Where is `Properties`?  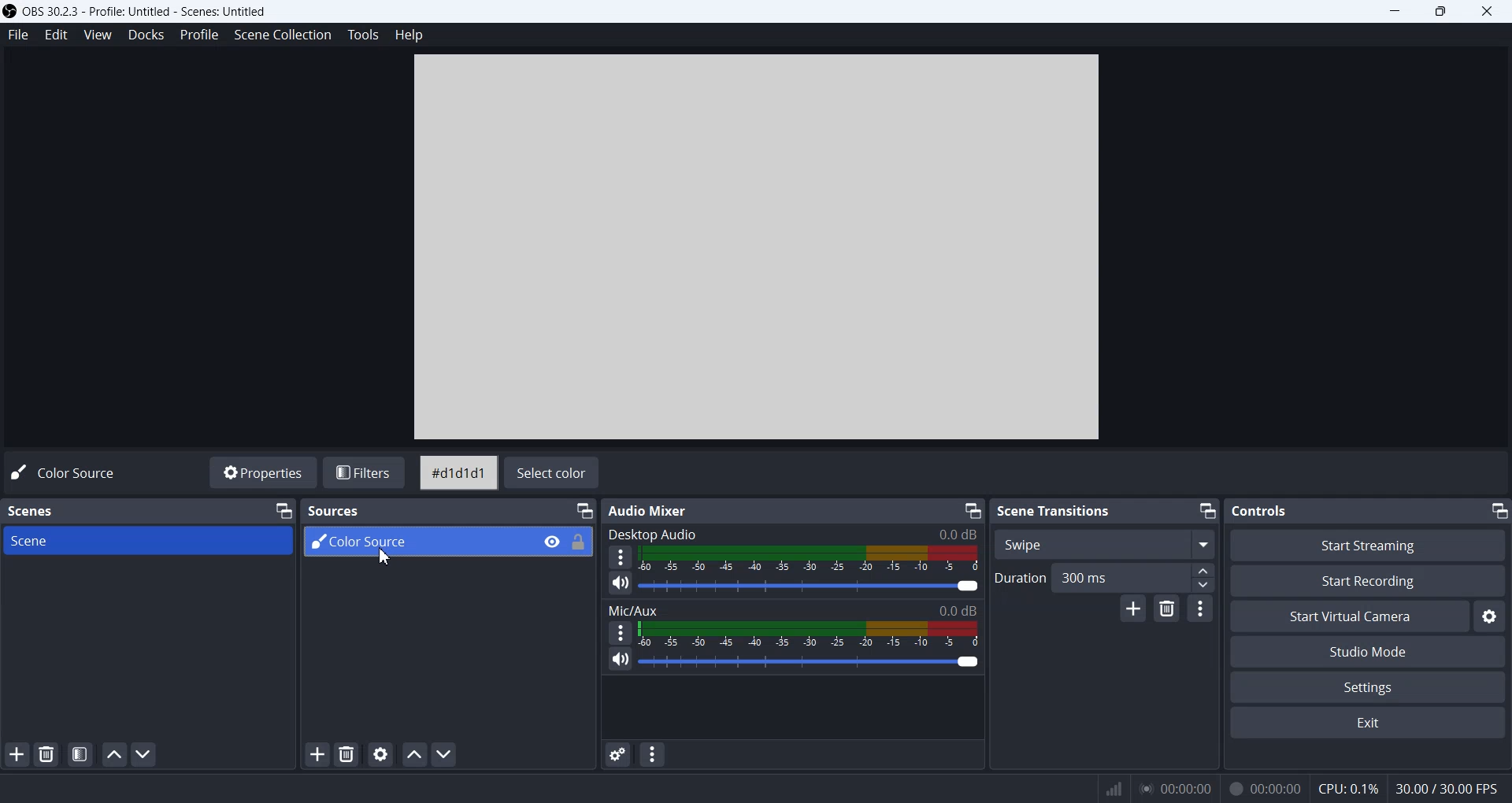 Properties is located at coordinates (262, 473).